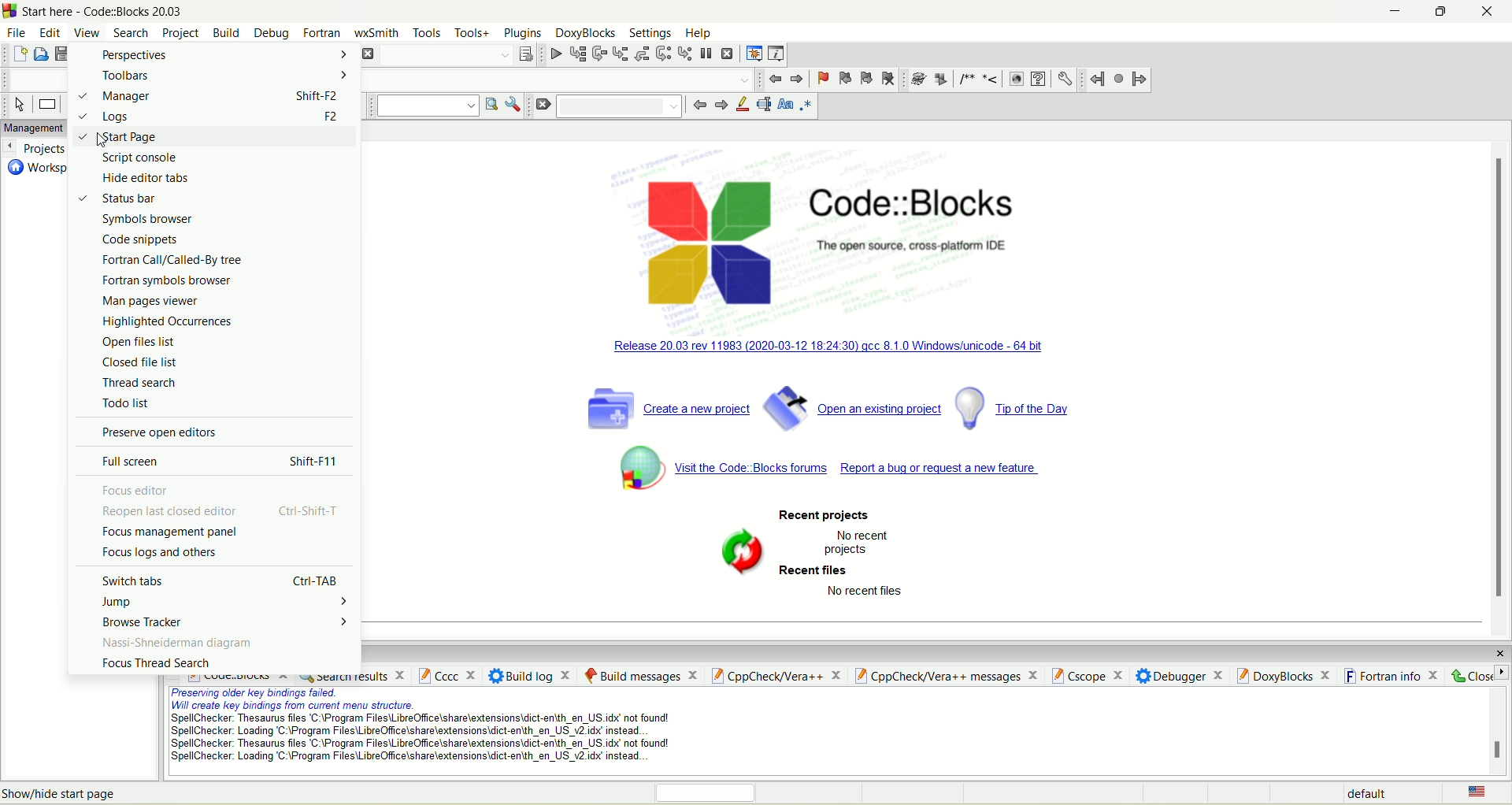  I want to click on Report a bug or request a new feature, so click(945, 469).